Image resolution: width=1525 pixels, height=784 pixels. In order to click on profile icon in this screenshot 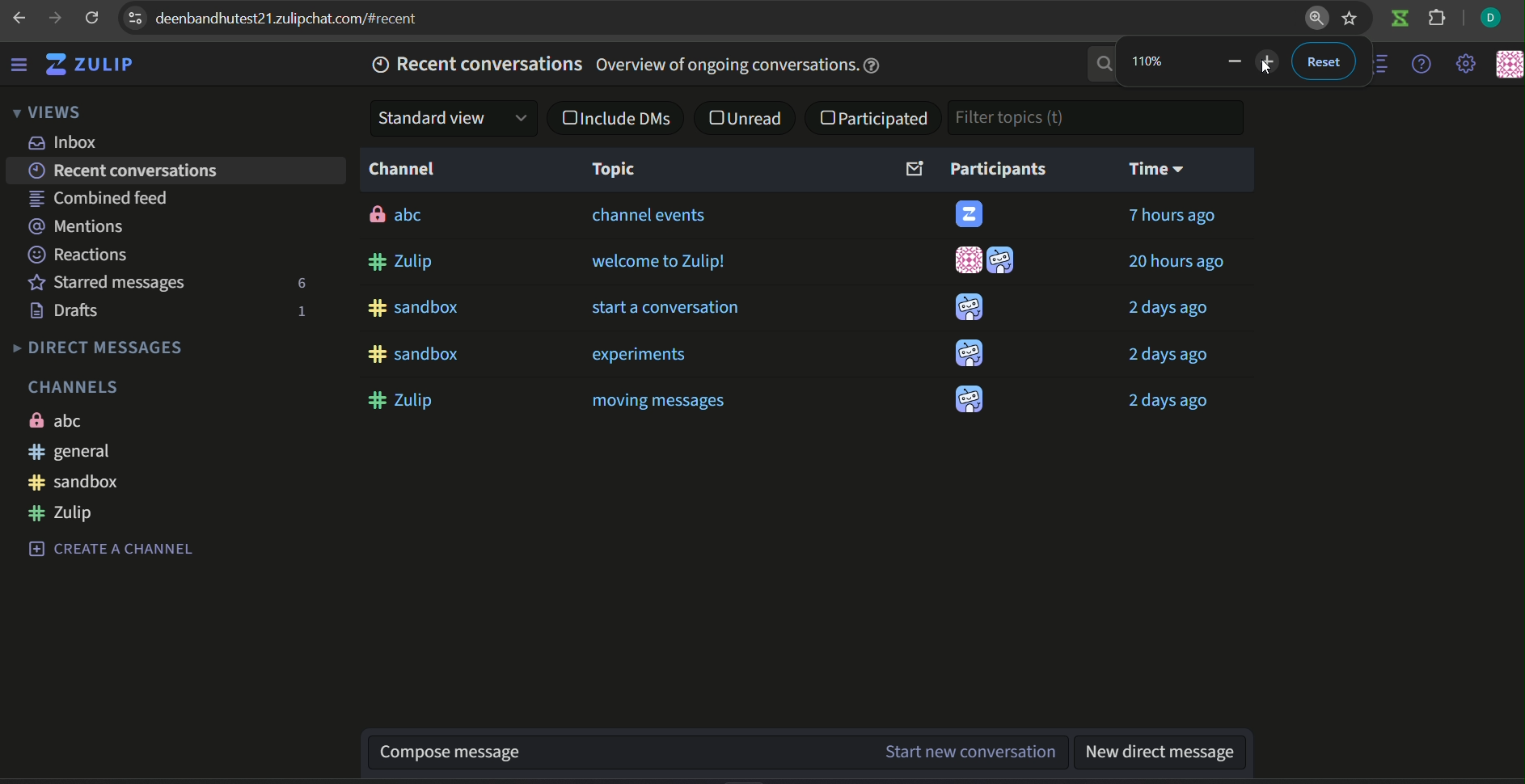, I will do `click(1491, 19)`.